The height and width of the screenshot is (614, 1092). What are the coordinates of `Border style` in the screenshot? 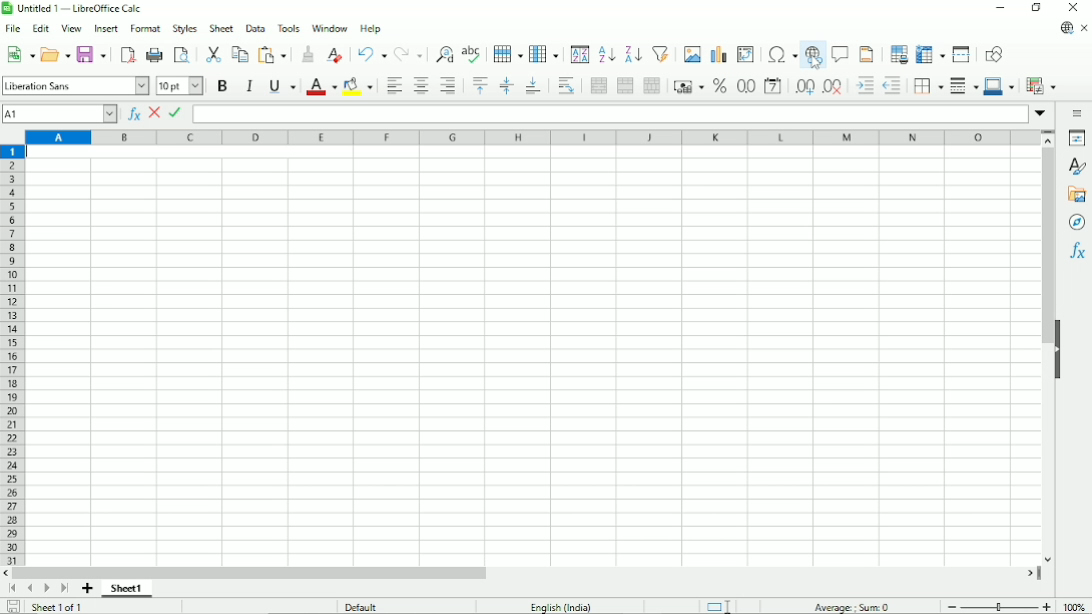 It's located at (964, 86).